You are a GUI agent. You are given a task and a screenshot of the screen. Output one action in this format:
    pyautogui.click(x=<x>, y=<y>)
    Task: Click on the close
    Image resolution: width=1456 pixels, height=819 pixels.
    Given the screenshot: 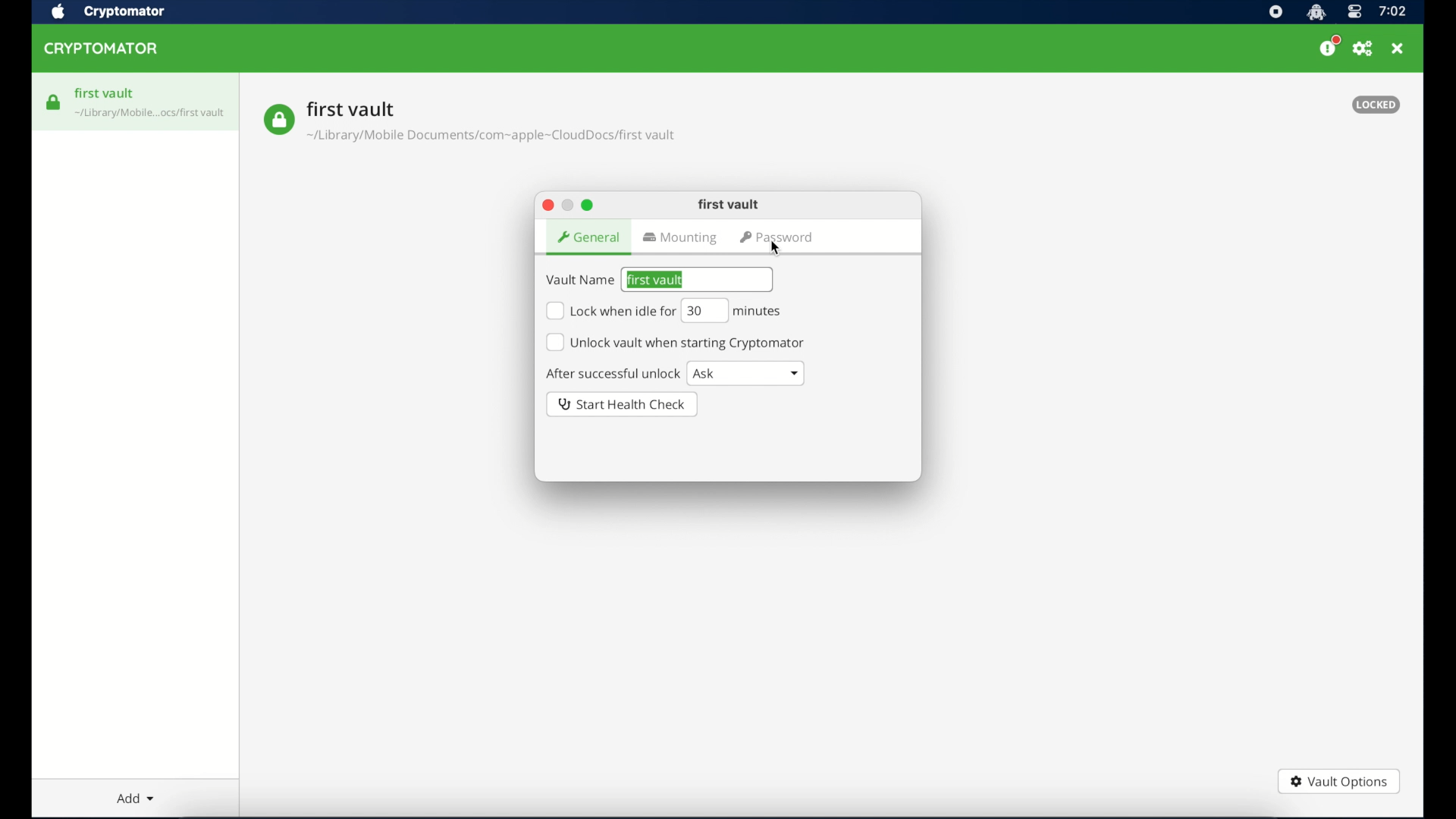 What is the action you would take?
    pyautogui.click(x=1398, y=49)
    